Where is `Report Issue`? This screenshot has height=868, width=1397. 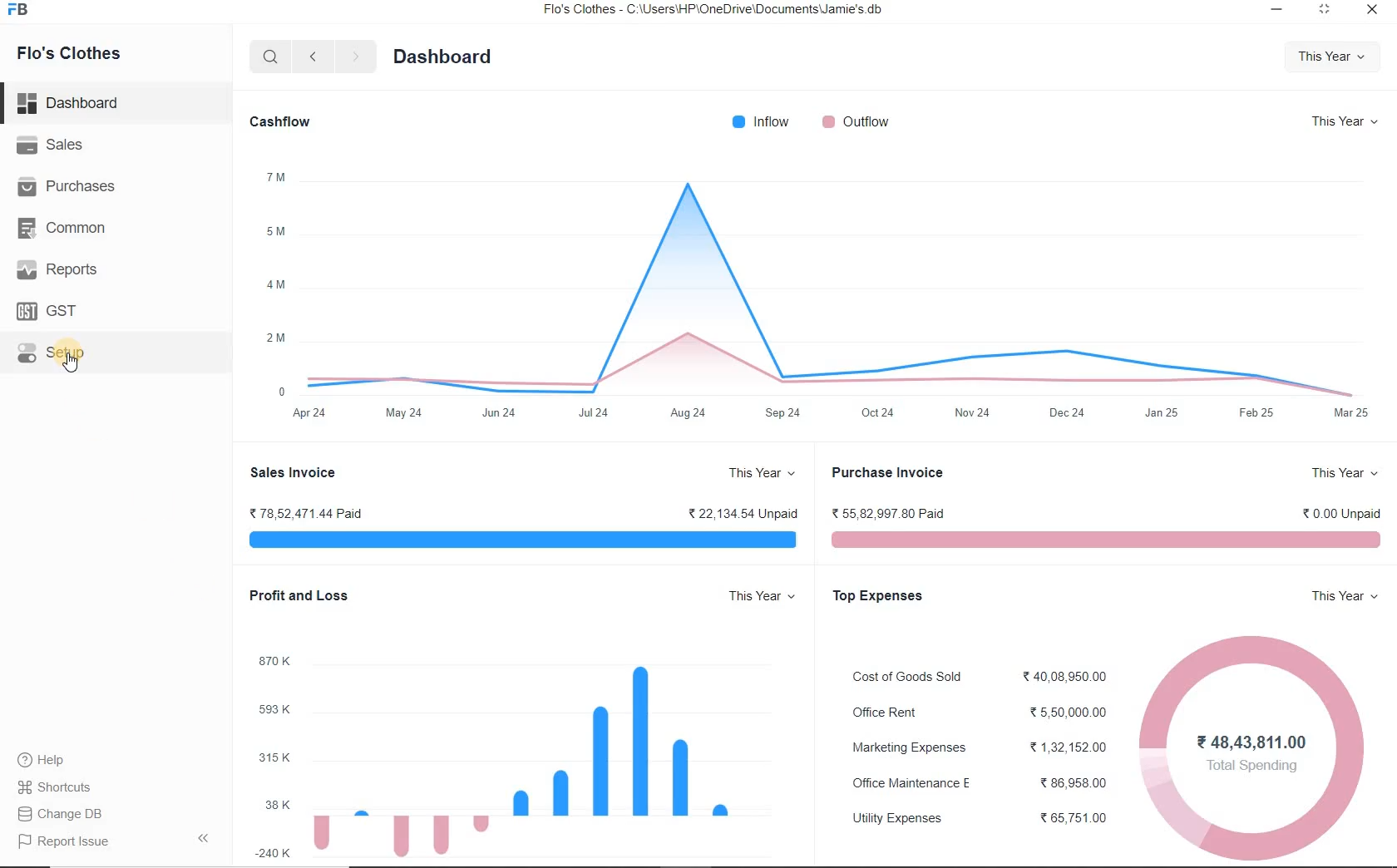 Report Issue is located at coordinates (68, 816).